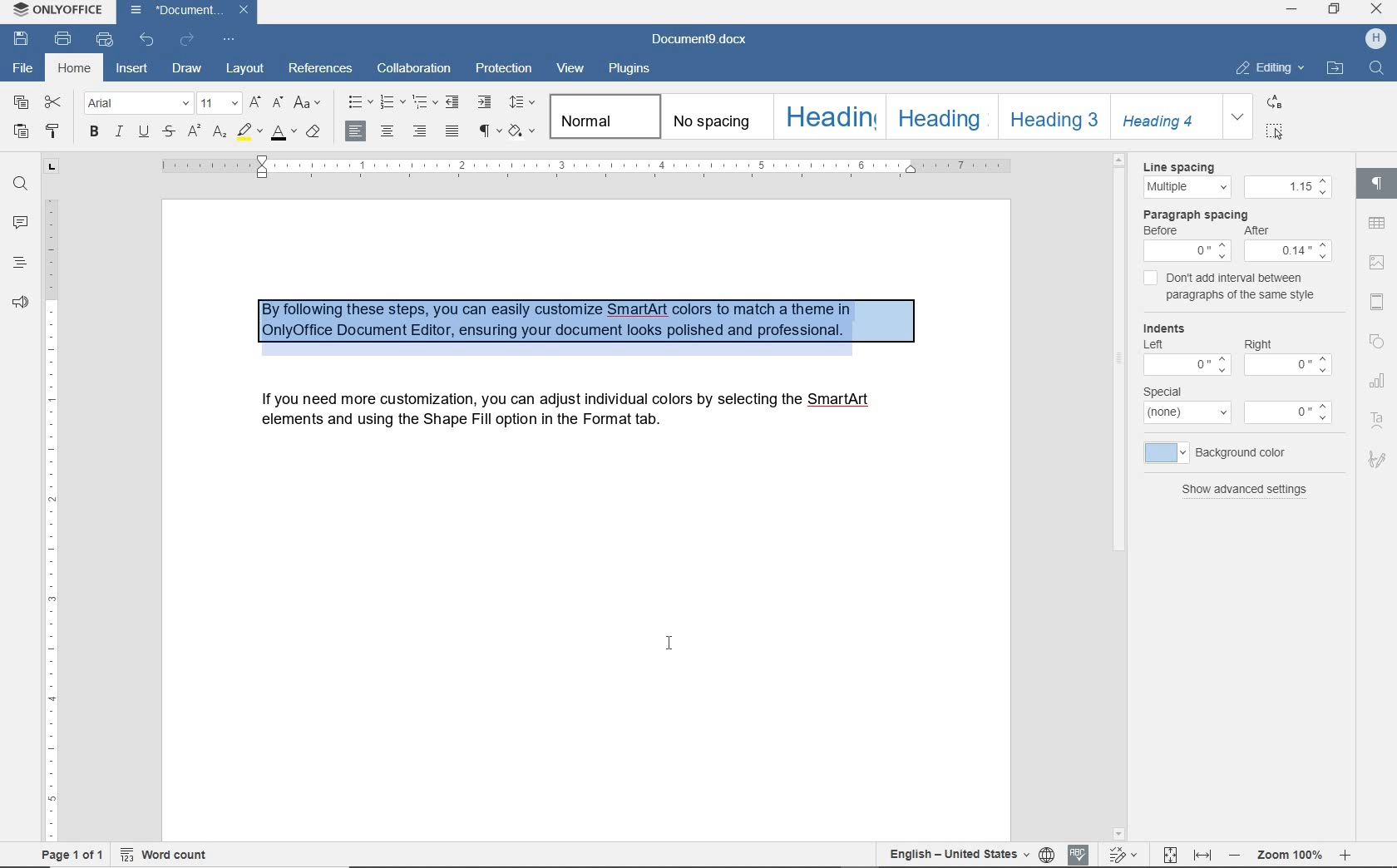  What do you see at coordinates (1163, 230) in the screenshot?
I see `before` at bounding box center [1163, 230].